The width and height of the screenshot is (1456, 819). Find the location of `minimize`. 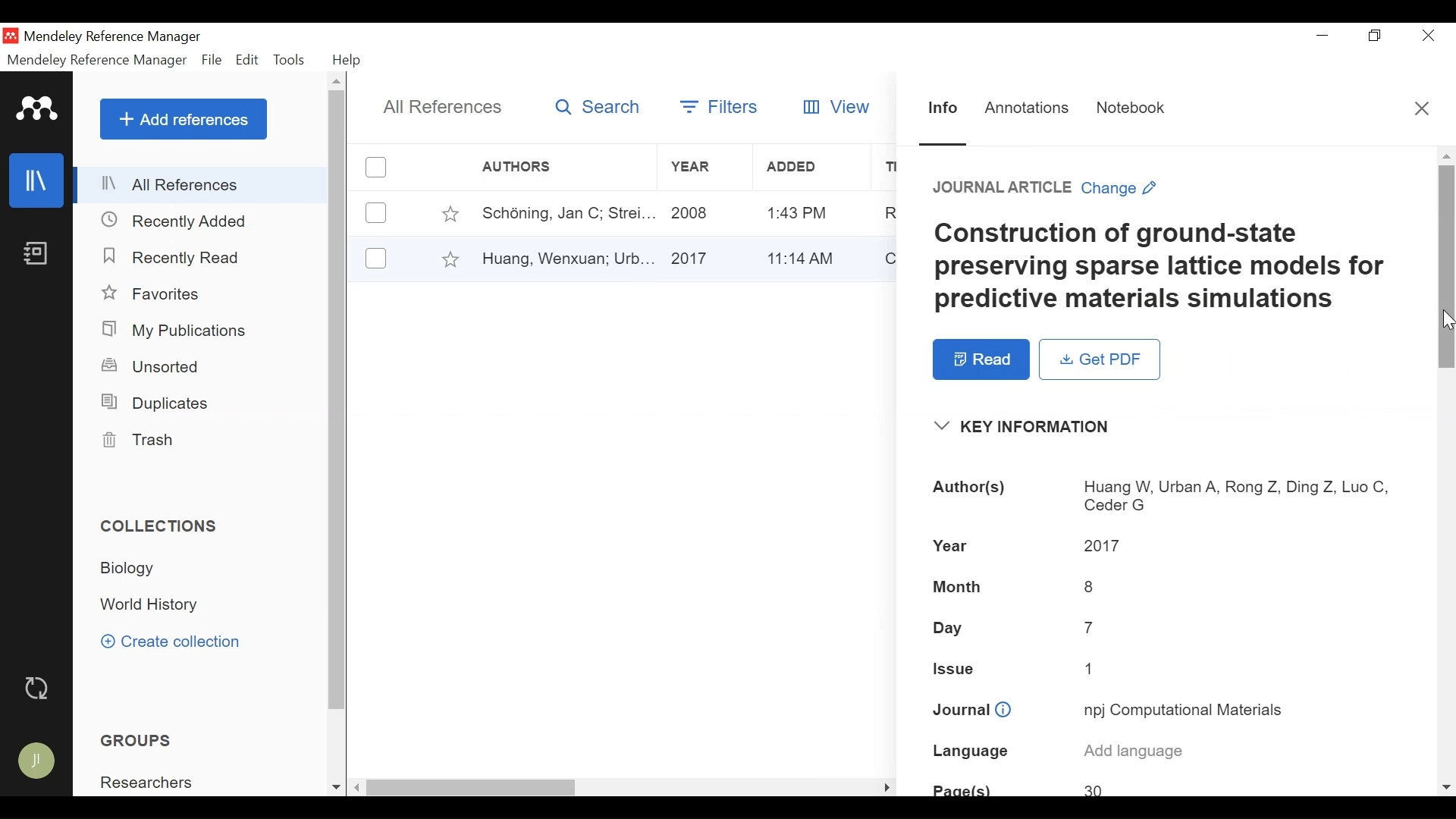

minimize is located at coordinates (1323, 36).